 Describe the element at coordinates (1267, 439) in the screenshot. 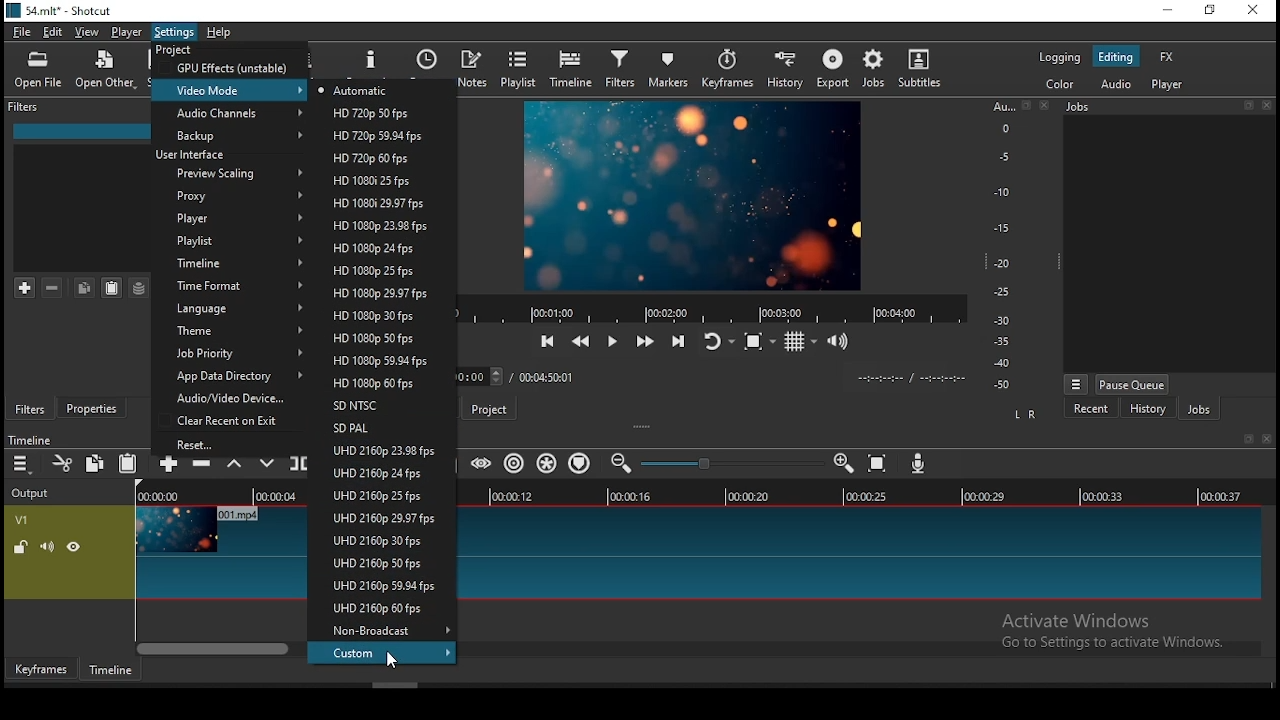

I see `Close` at that location.